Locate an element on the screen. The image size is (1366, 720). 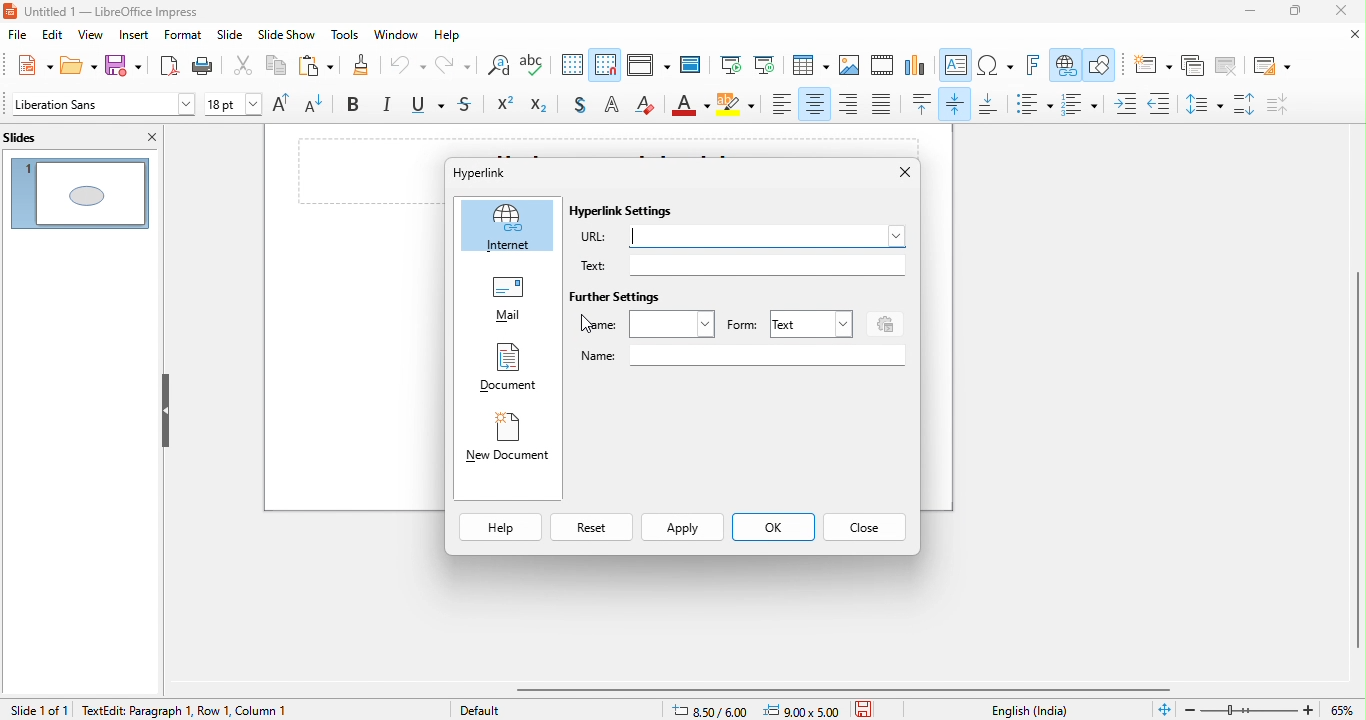
font style is located at coordinates (101, 106).